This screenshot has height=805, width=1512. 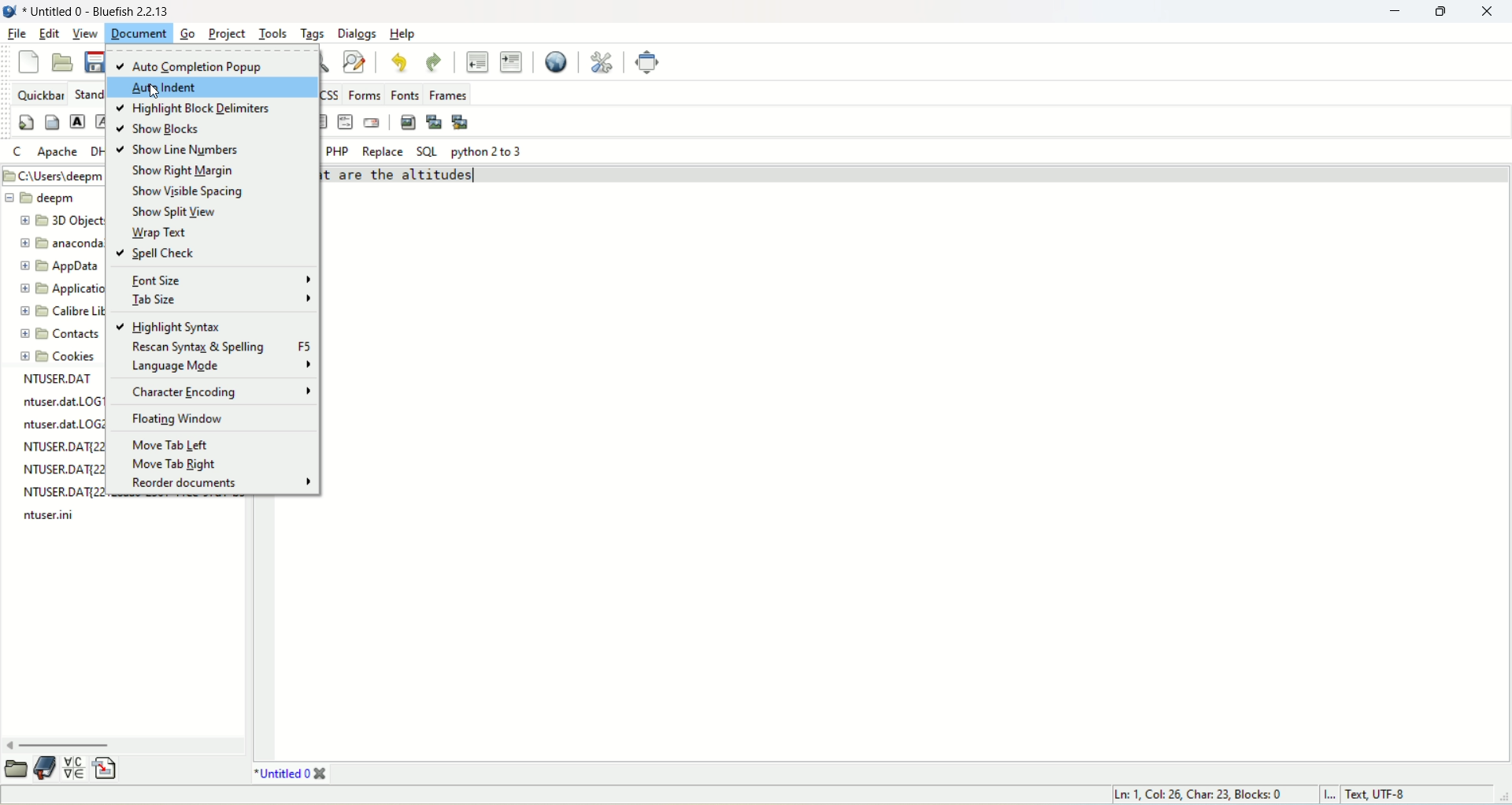 I want to click on rescan syntax and spelling, so click(x=220, y=347).